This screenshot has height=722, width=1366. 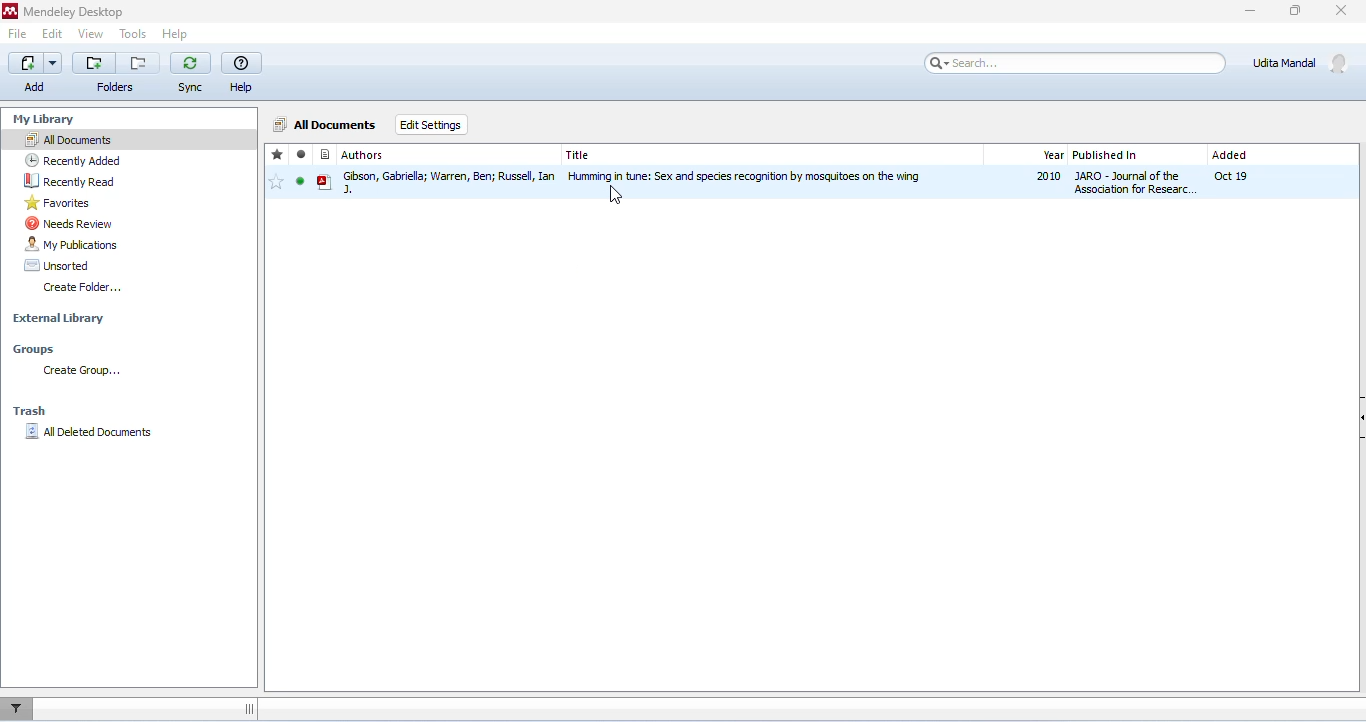 What do you see at coordinates (73, 183) in the screenshot?
I see `recently read` at bounding box center [73, 183].